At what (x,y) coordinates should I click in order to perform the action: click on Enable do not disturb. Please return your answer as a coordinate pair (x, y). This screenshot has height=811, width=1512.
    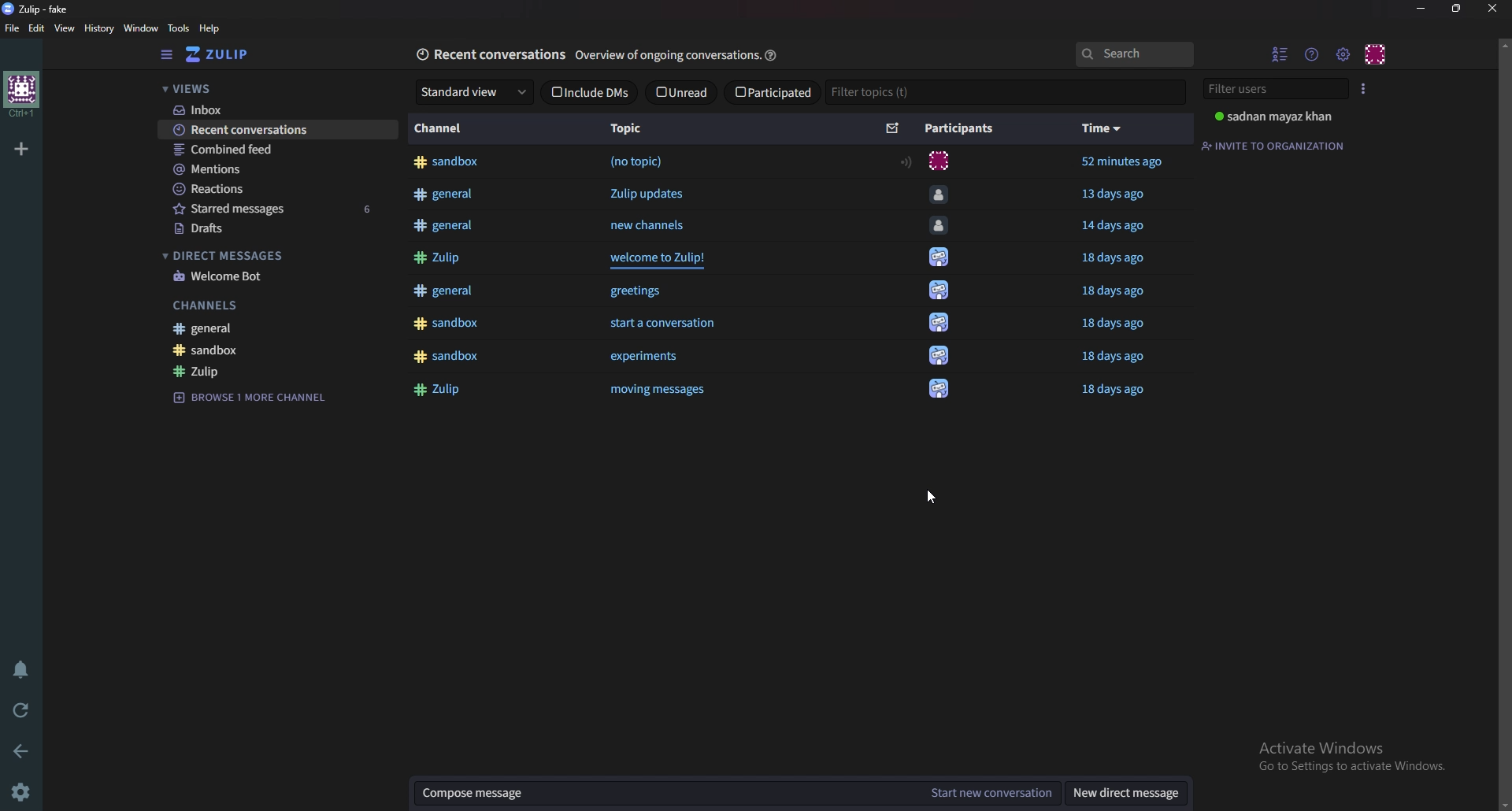
    Looking at the image, I should click on (22, 670).